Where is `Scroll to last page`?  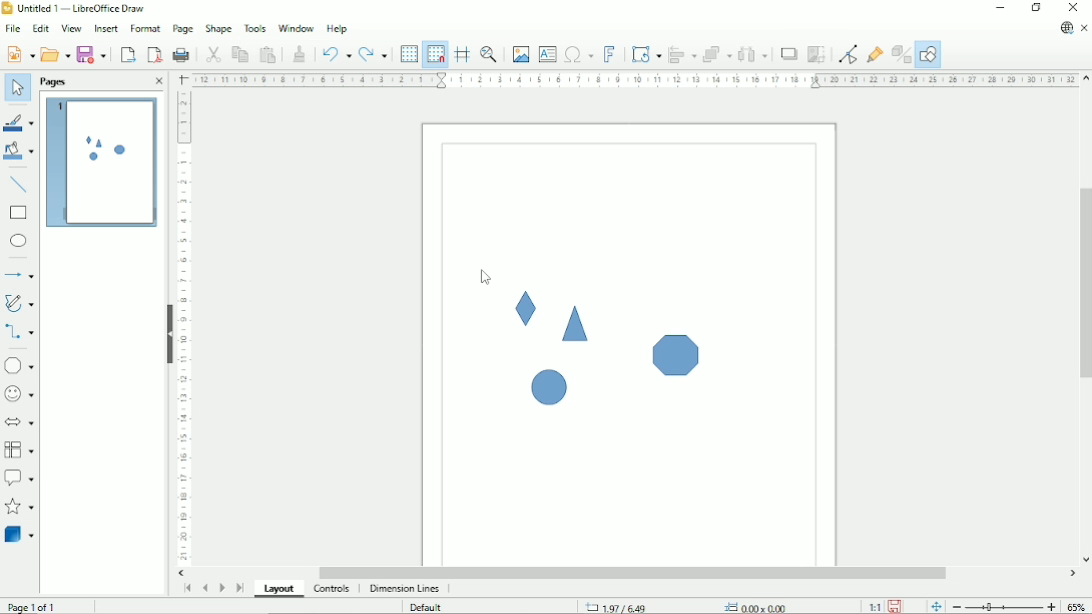
Scroll to last page is located at coordinates (240, 587).